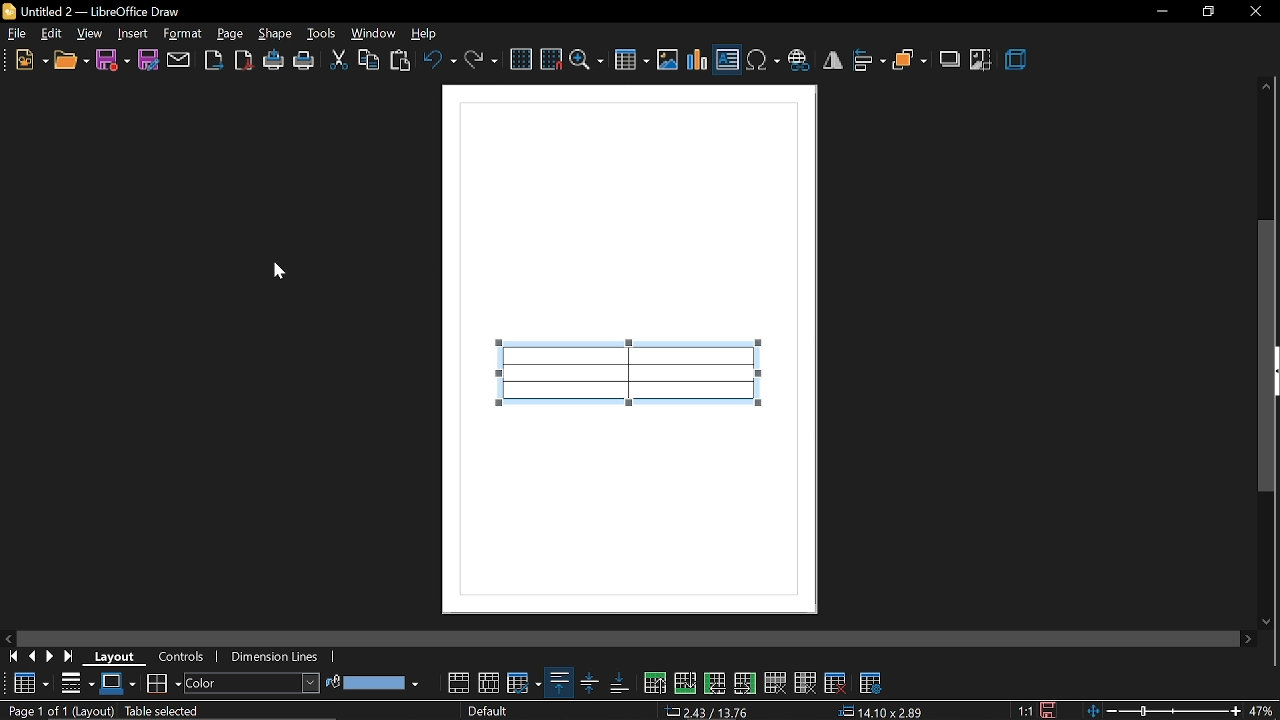 This screenshot has width=1280, height=720. I want to click on go to last page, so click(72, 654).